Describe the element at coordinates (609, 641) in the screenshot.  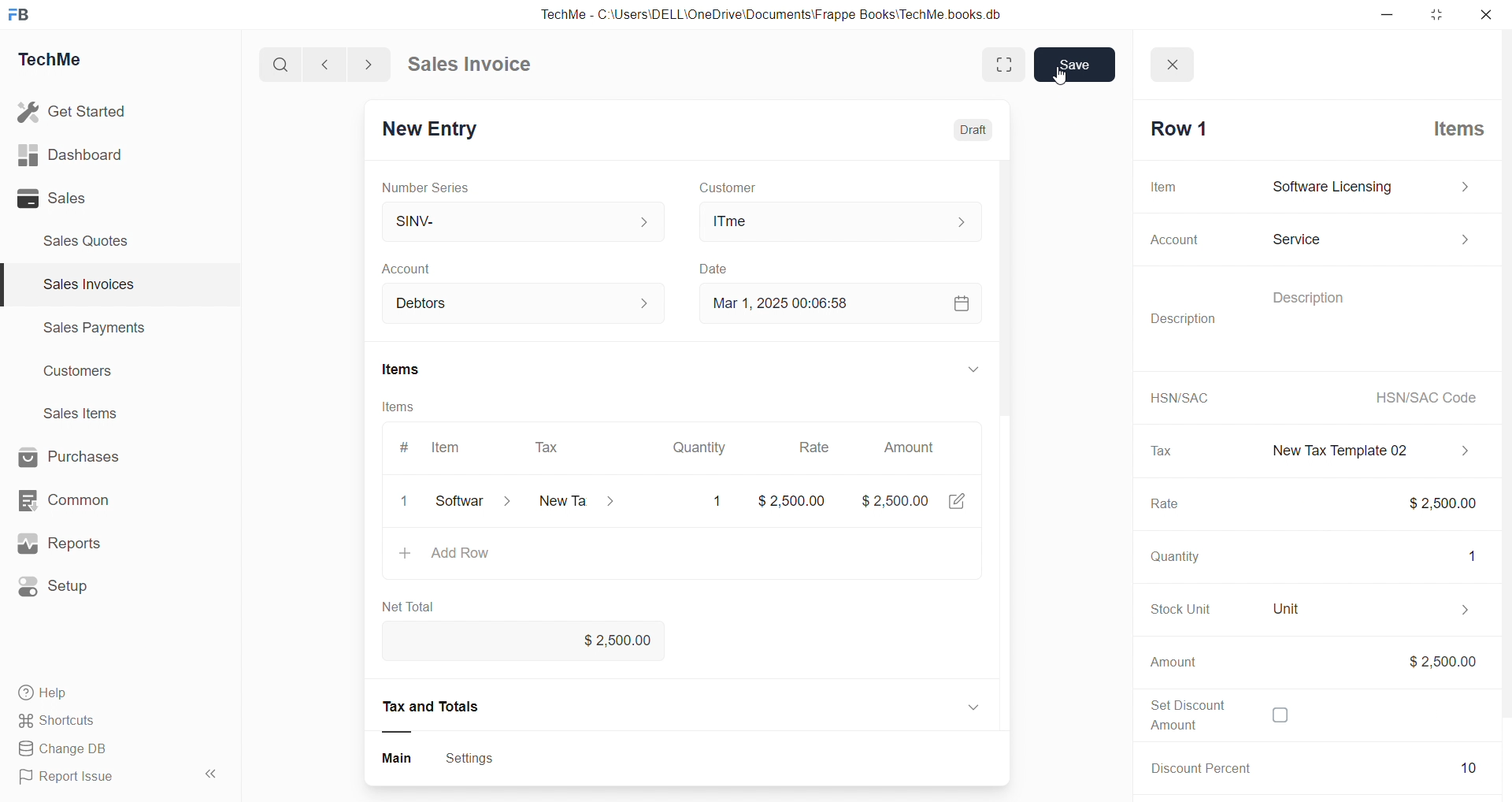
I see `$2,500.00` at that location.